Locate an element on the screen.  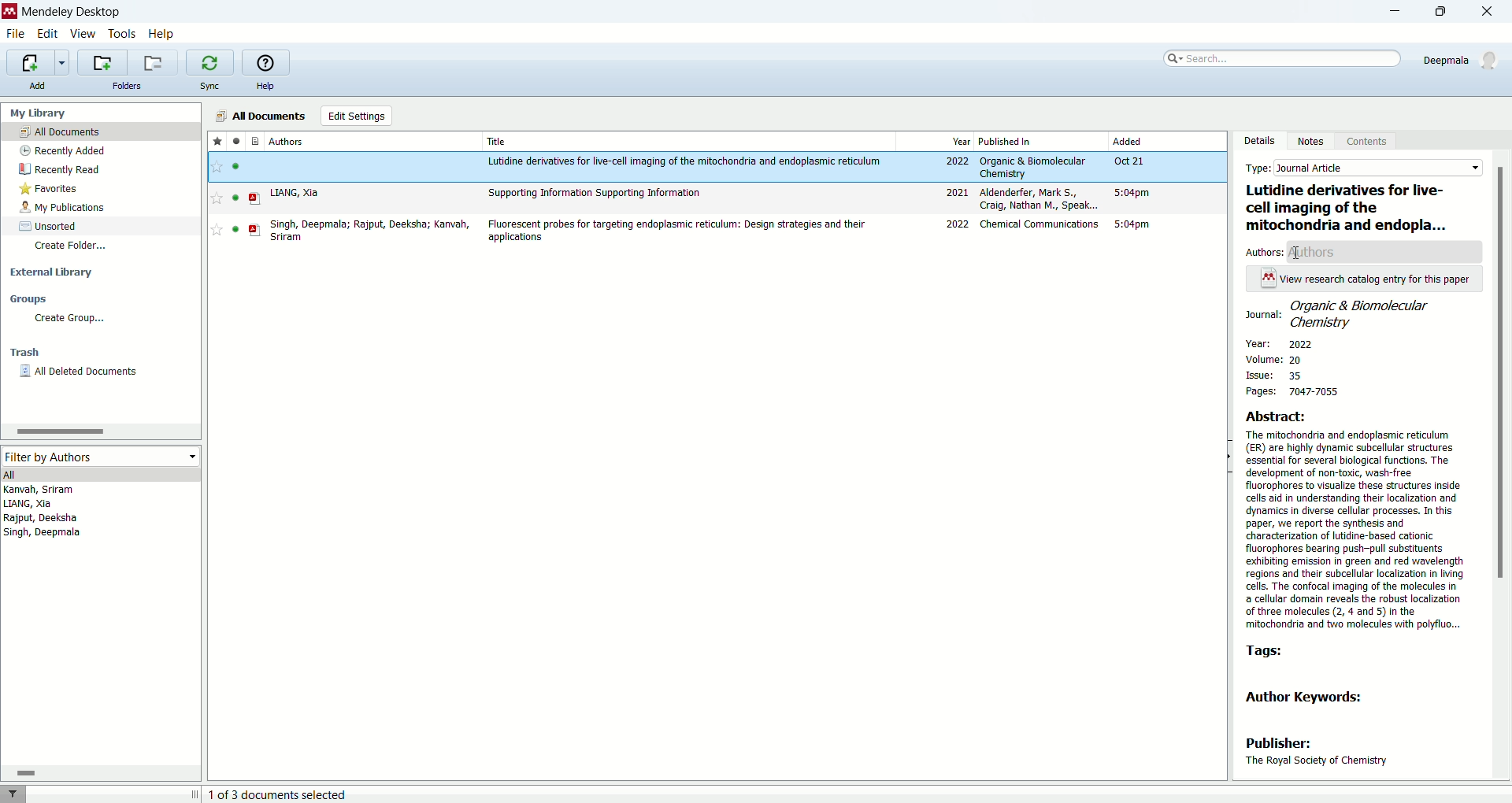
LIANG, Xia is located at coordinates (30, 505).